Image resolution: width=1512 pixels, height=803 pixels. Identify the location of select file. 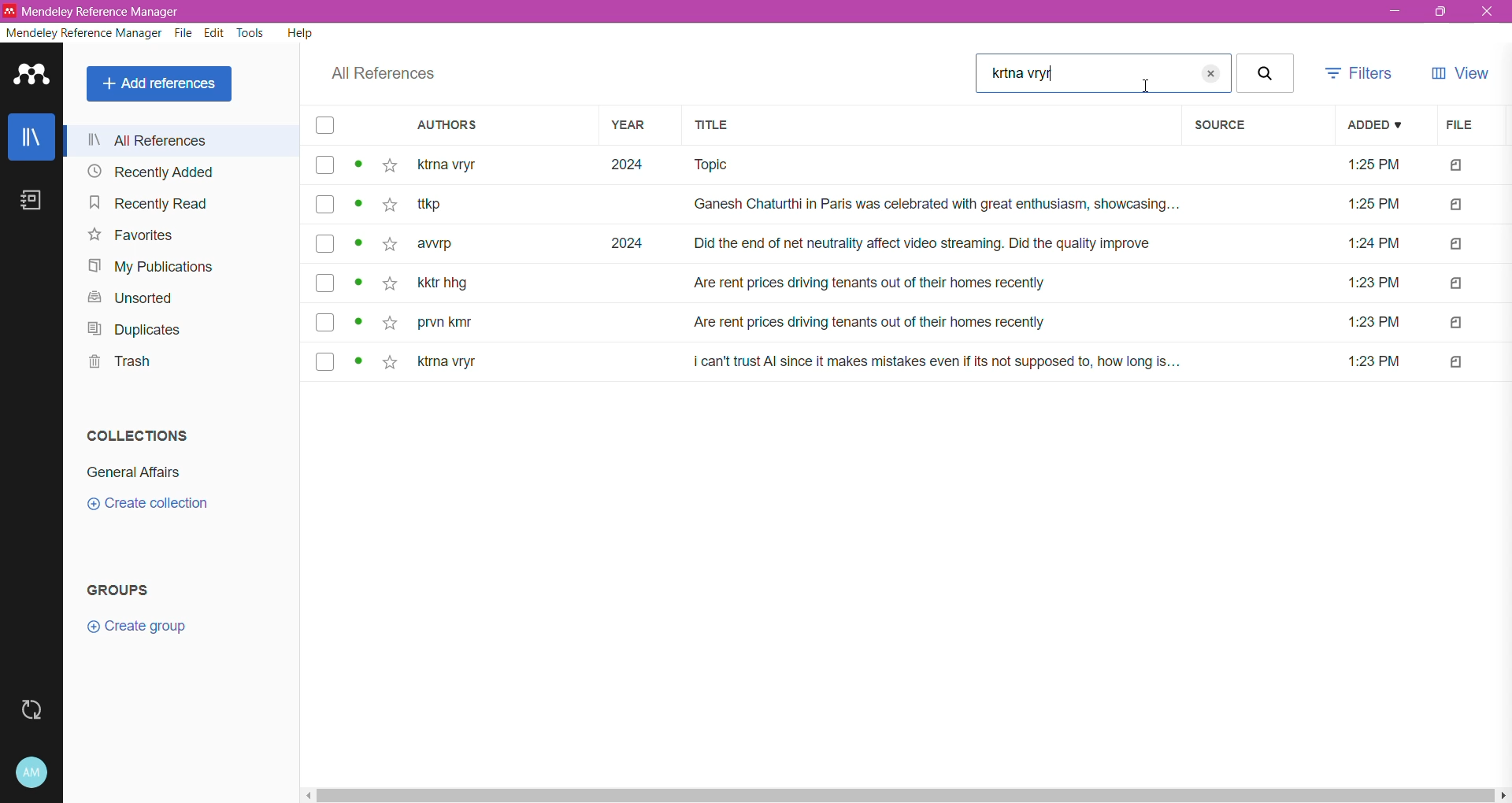
(321, 362).